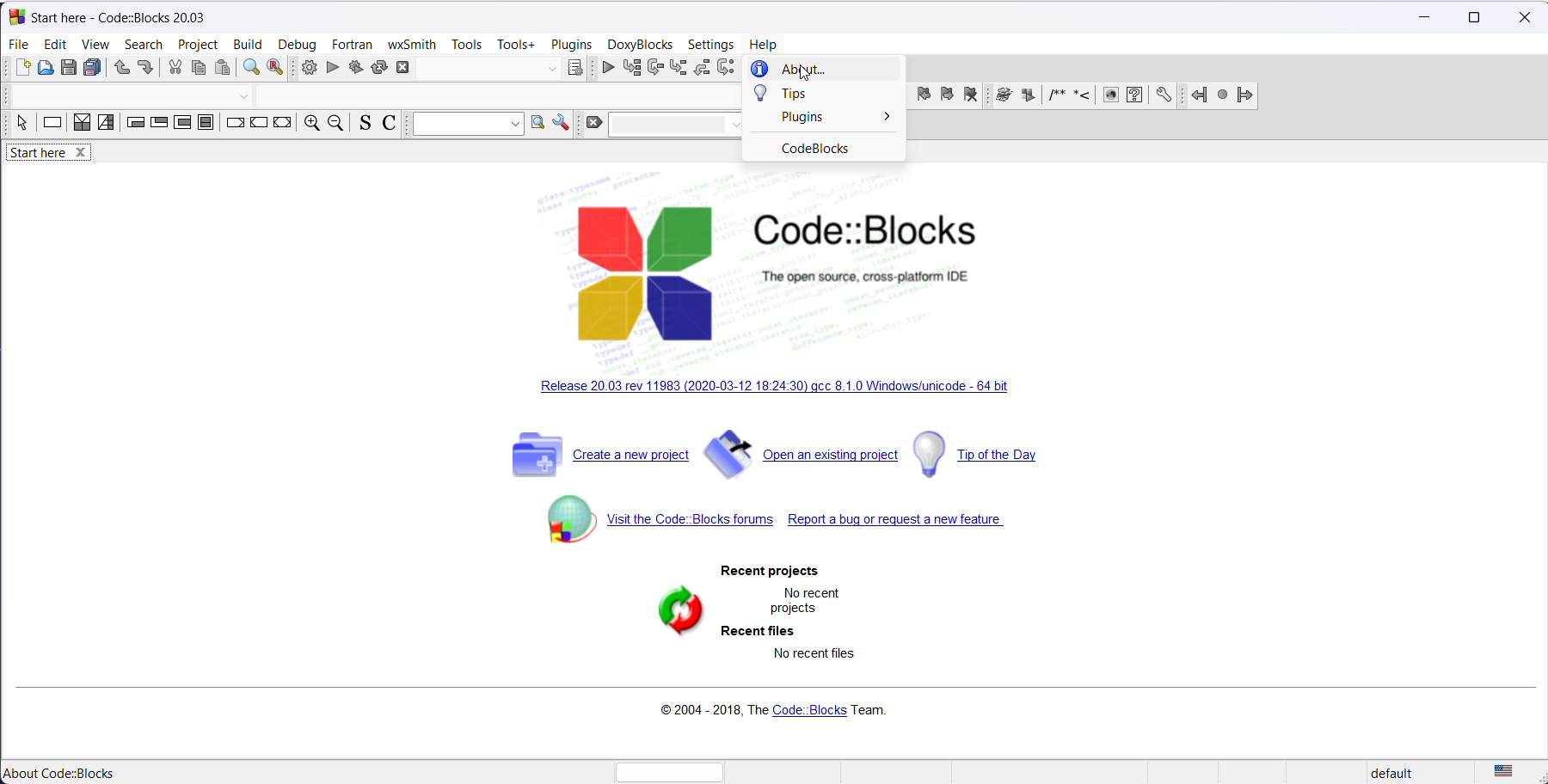  I want to click on fortran, so click(351, 44).